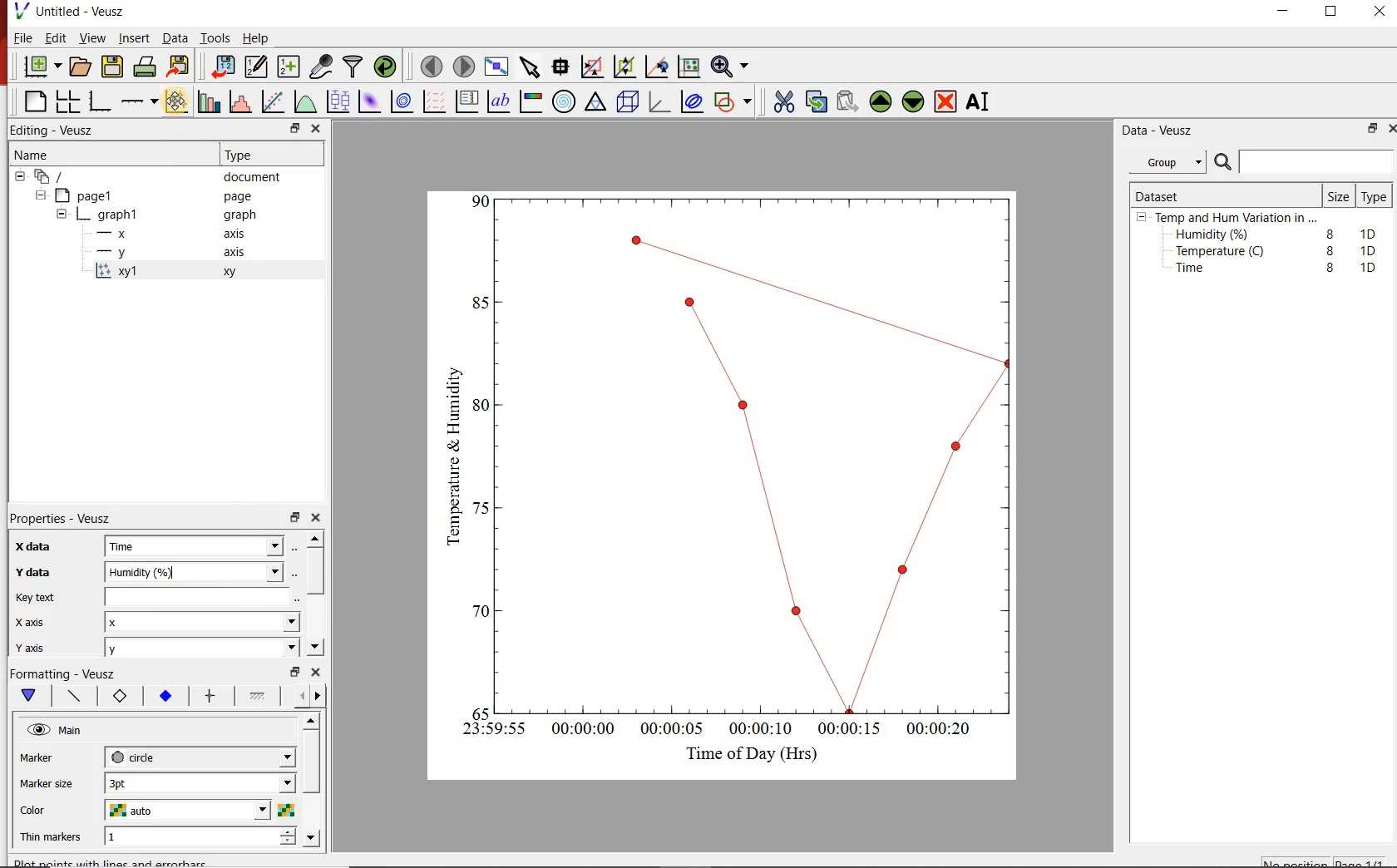 The width and height of the screenshot is (1397, 868). Describe the element at coordinates (151, 572) in the screenshot. I see `Humidity (%)` at that location.